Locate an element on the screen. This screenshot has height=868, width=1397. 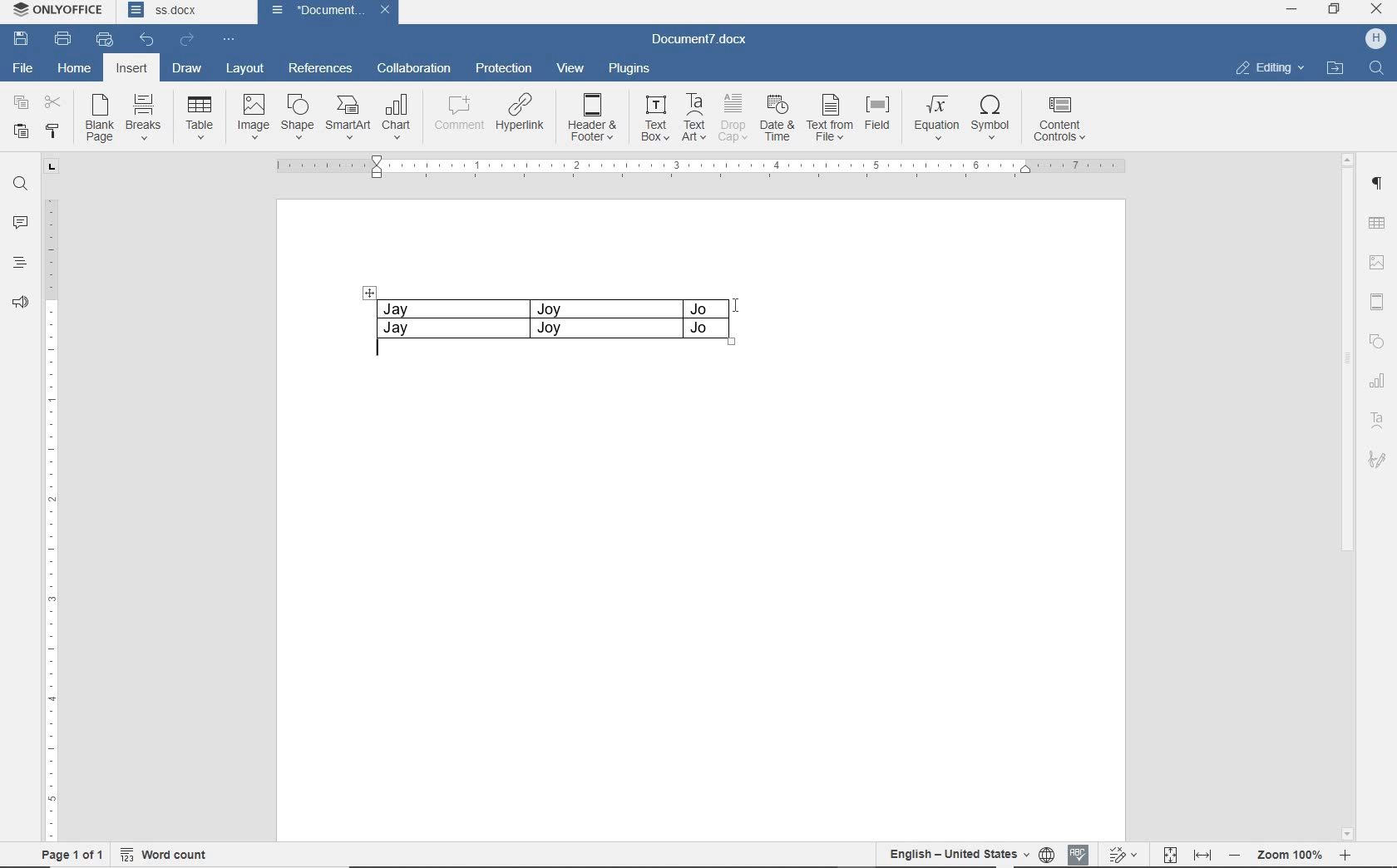
HEADER & FOOTER is located at coordinates (594, 118).